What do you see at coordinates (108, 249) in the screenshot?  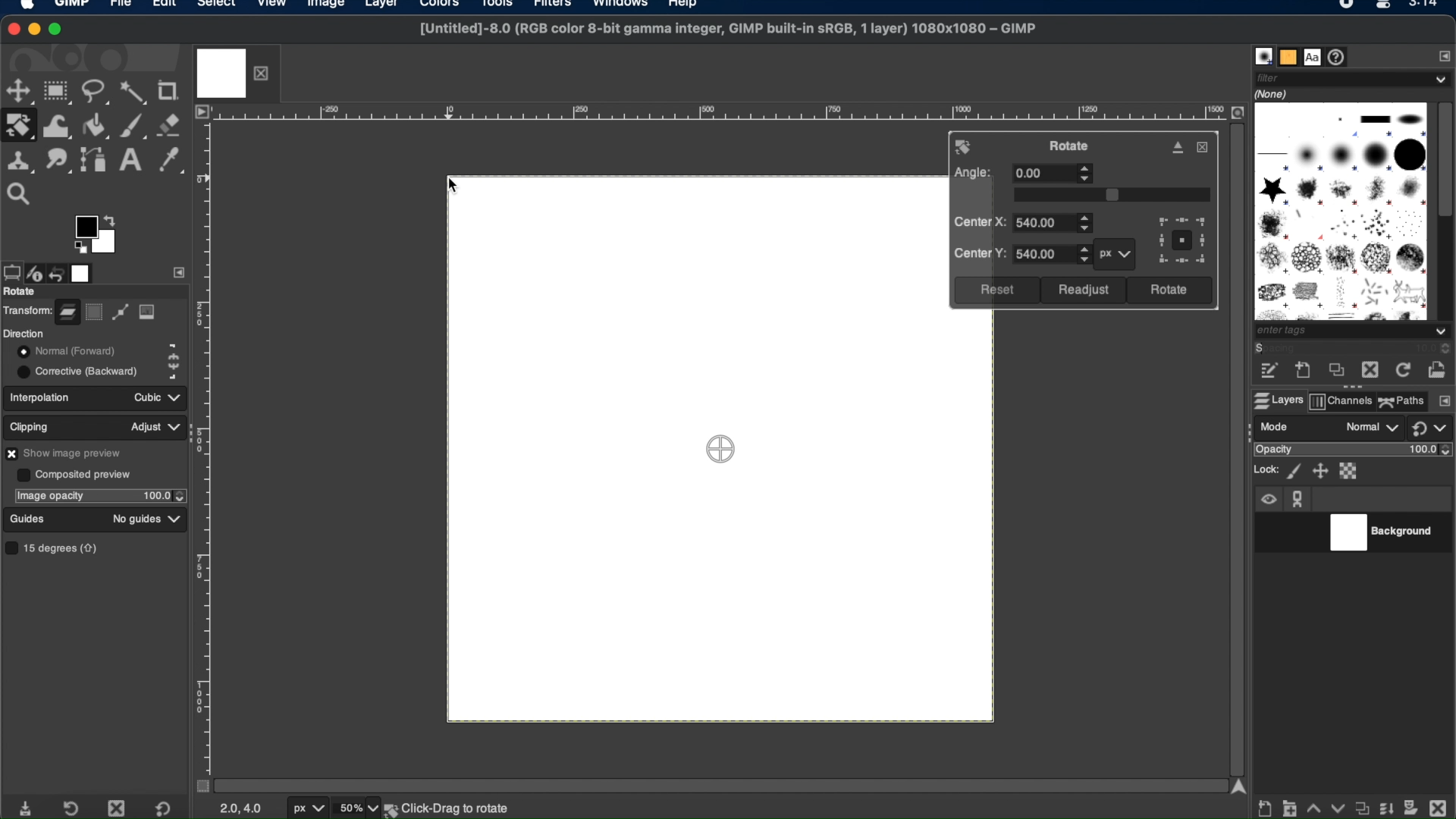 I see `active background color` at bounding box center [108, 249].